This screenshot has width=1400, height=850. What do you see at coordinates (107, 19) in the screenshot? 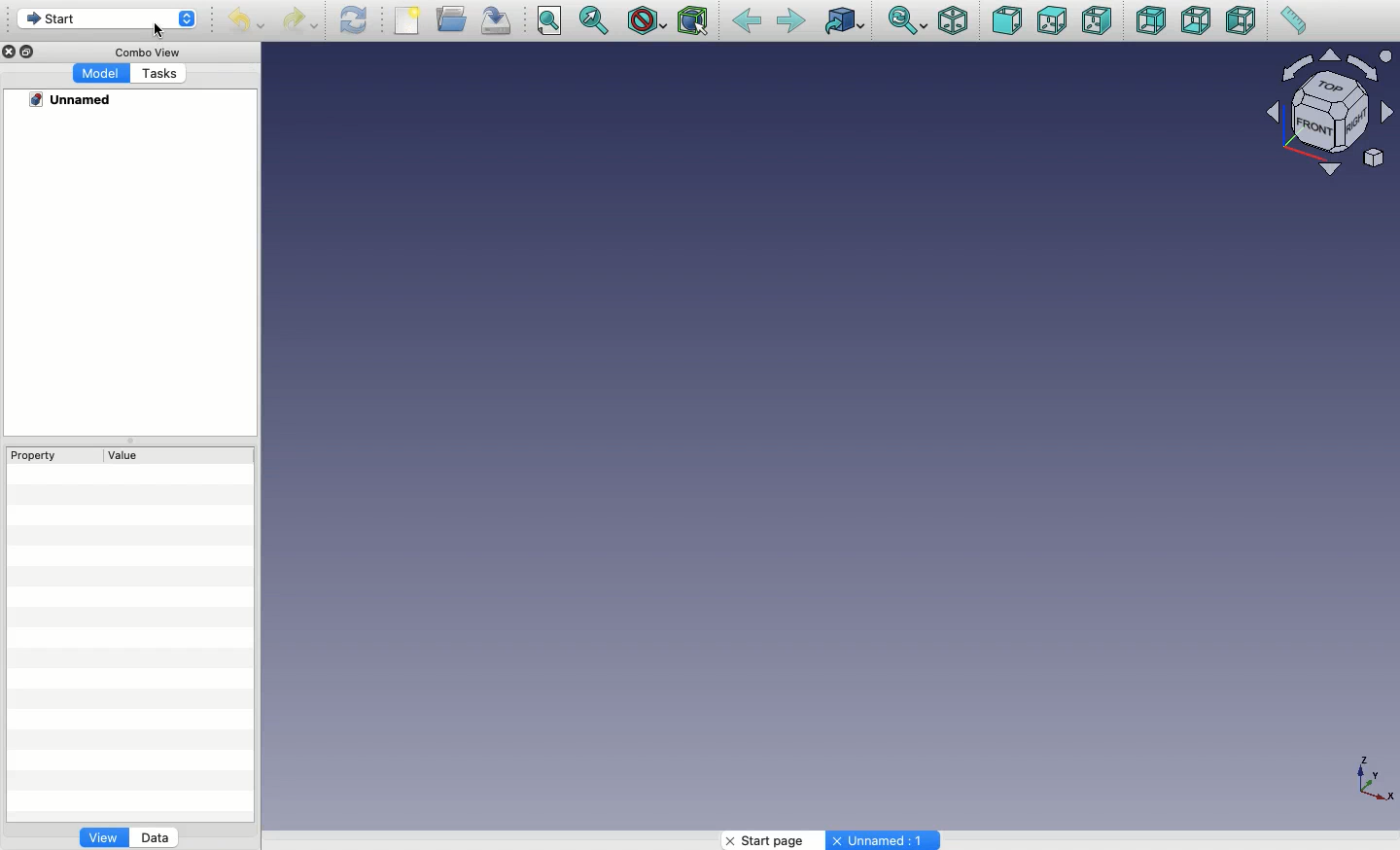
I see `Workbench` at bounding box center [107, 19].